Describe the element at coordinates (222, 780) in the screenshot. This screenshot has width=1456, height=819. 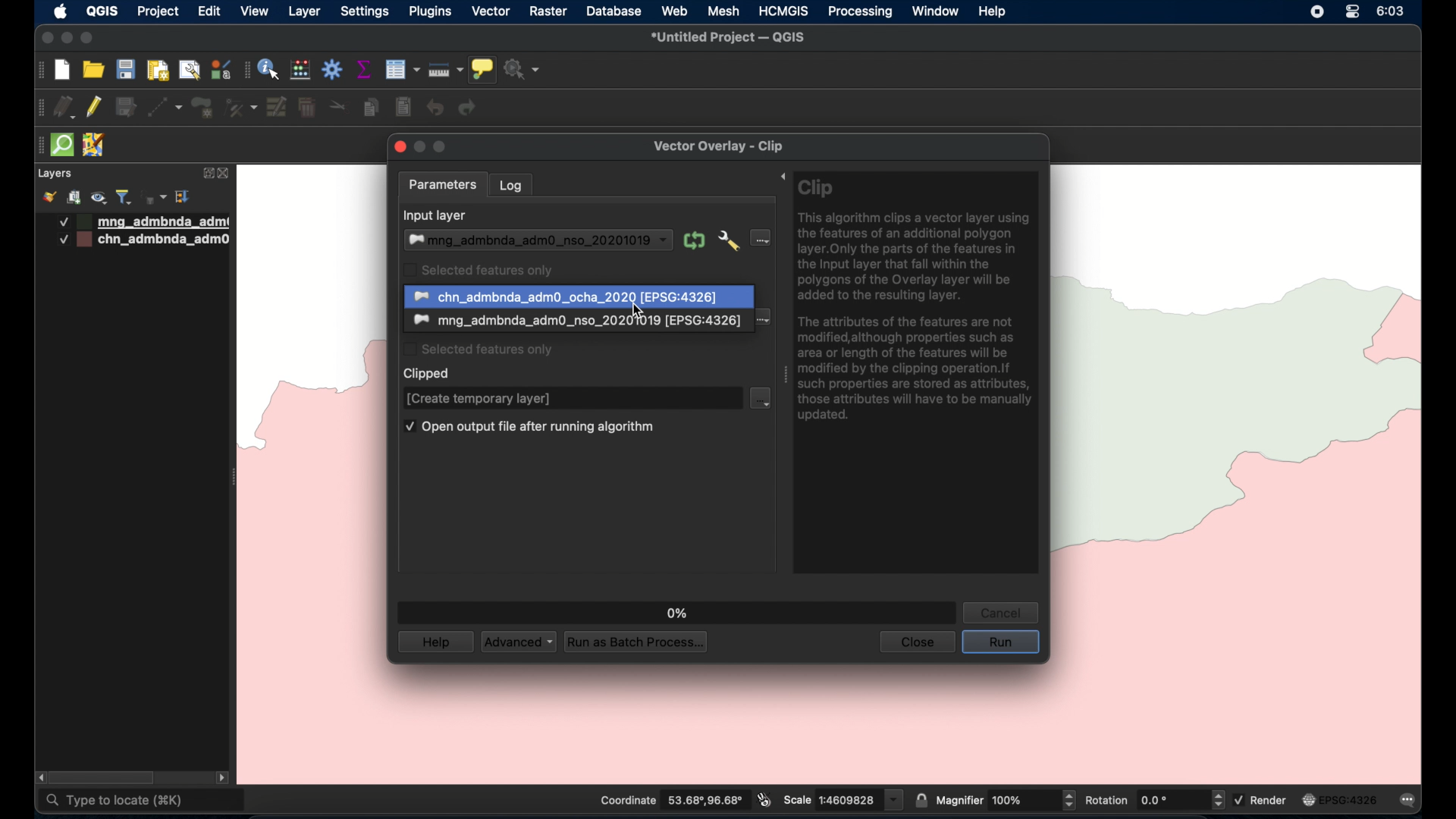
I see `scroll right` at that location.